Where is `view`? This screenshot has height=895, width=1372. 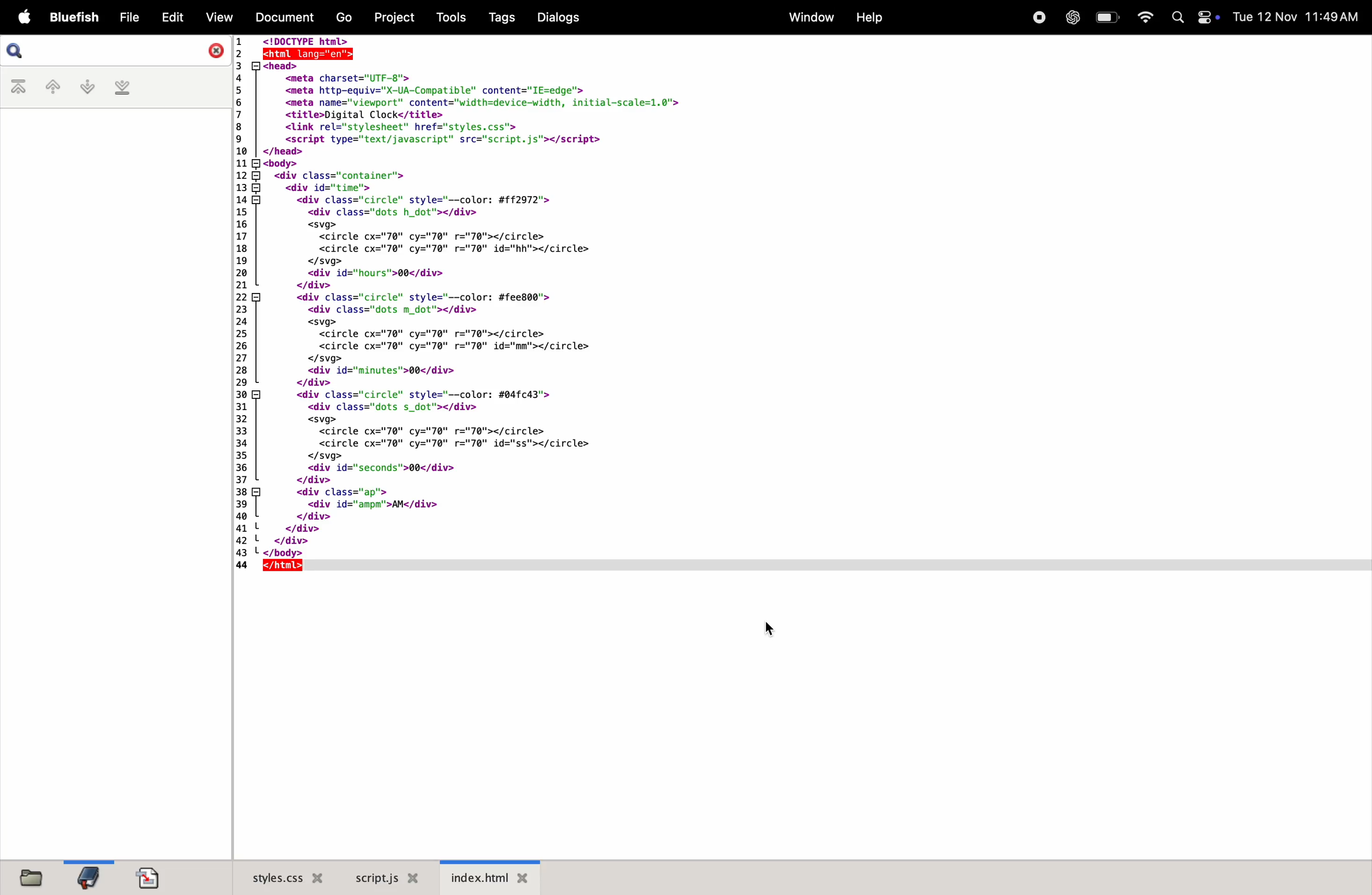
view is located at coordinates (216, 17).